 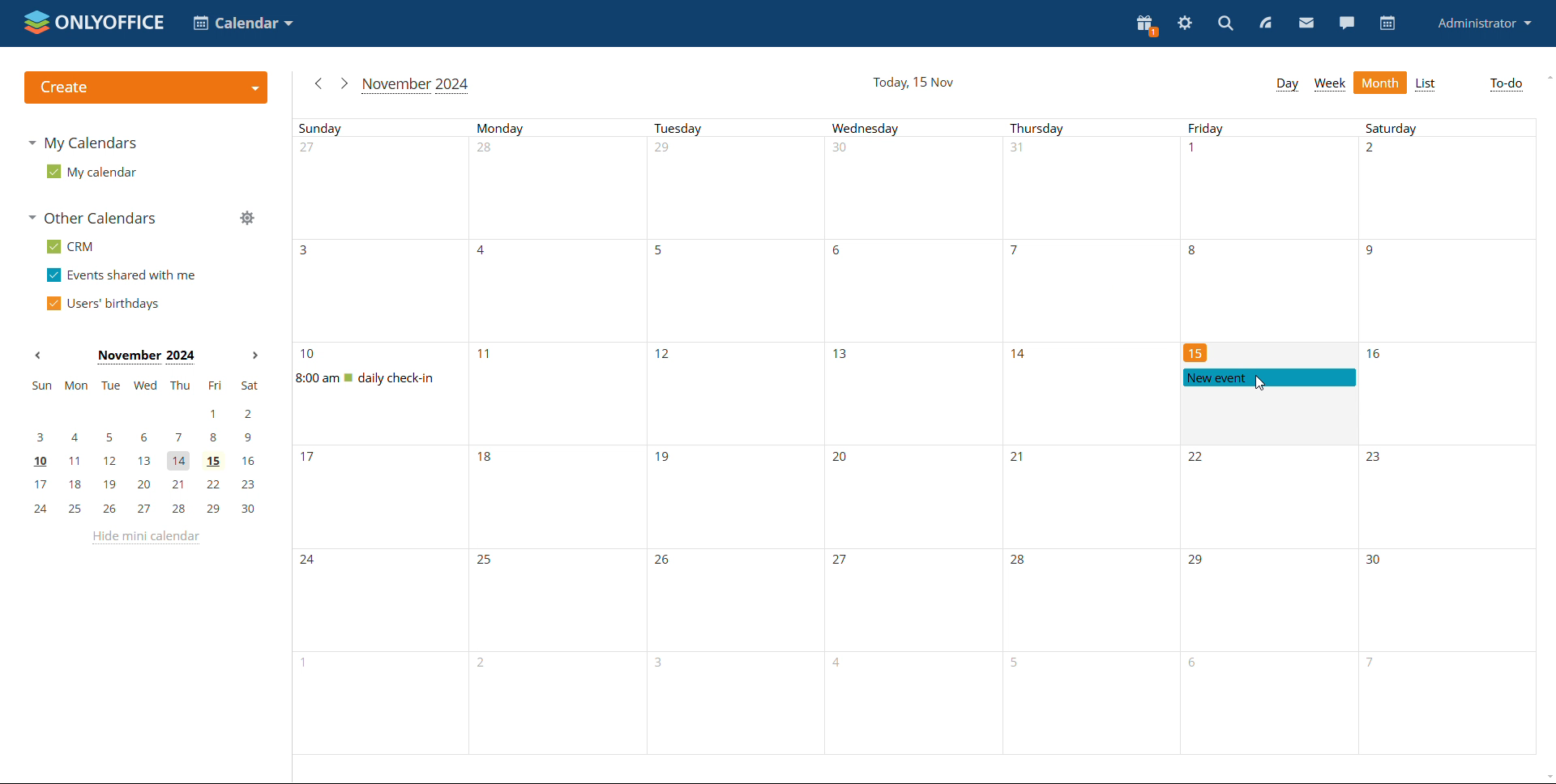 What do you see at coordinates (1546, 77) in the screenshot?
I see `scroll up` at bounding box center [1546, 77].